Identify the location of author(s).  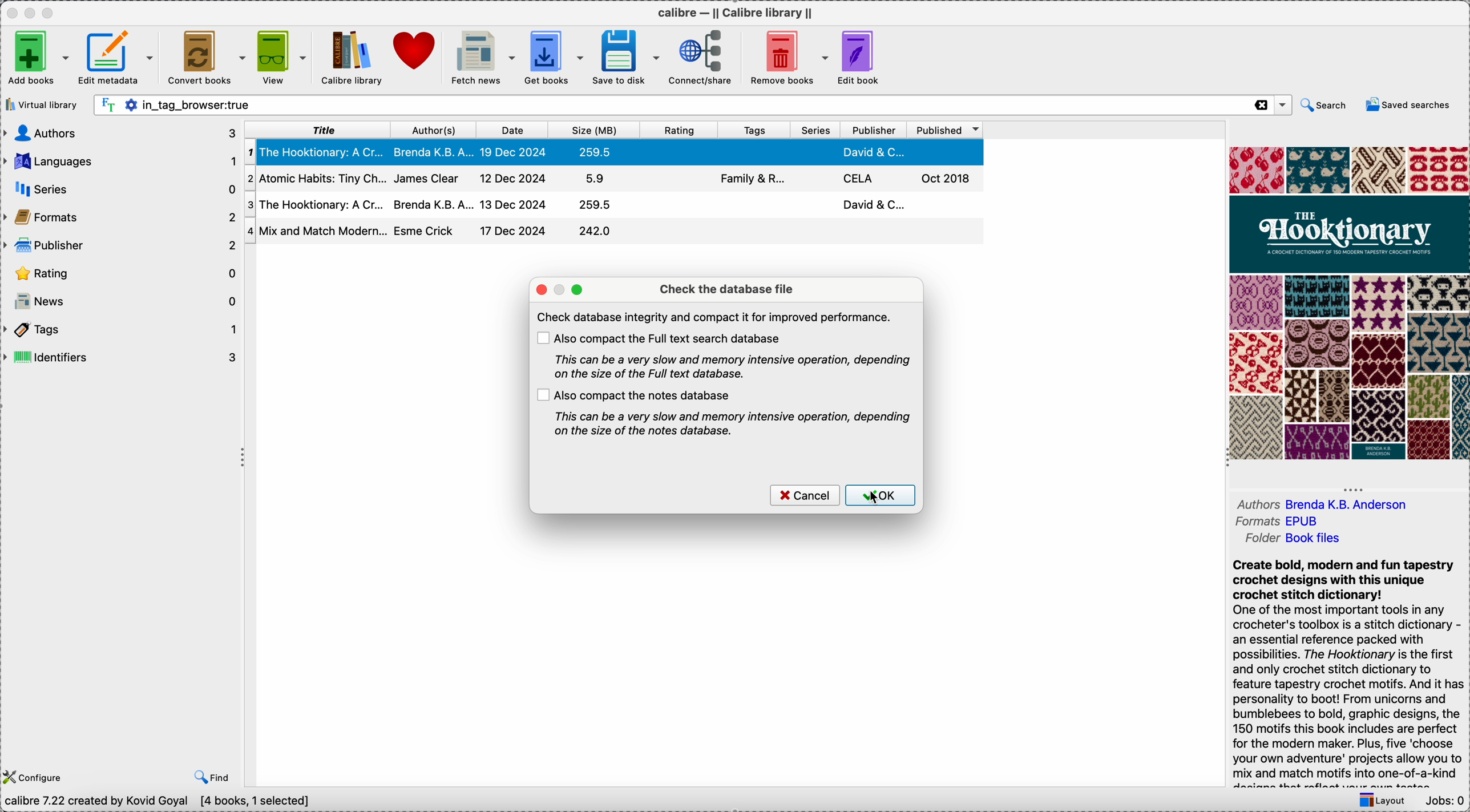
(431, 130).